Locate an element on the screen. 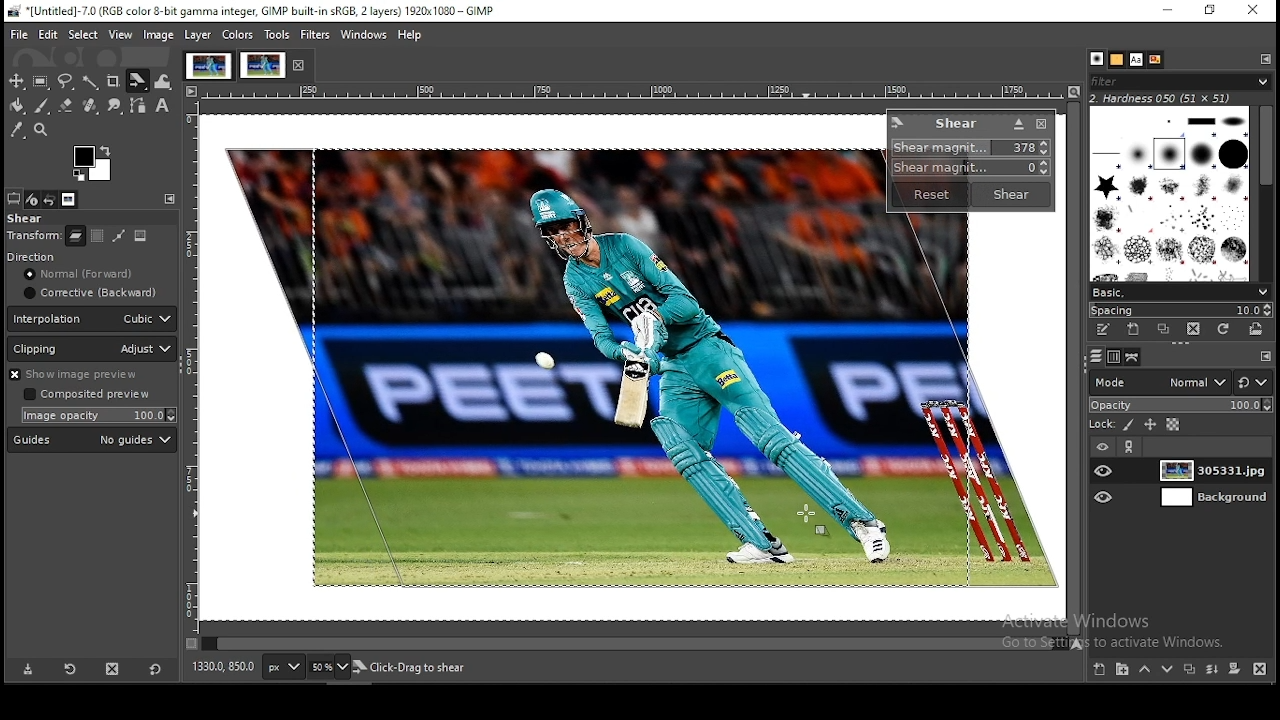  close window is located at coordinates (1249, 11).